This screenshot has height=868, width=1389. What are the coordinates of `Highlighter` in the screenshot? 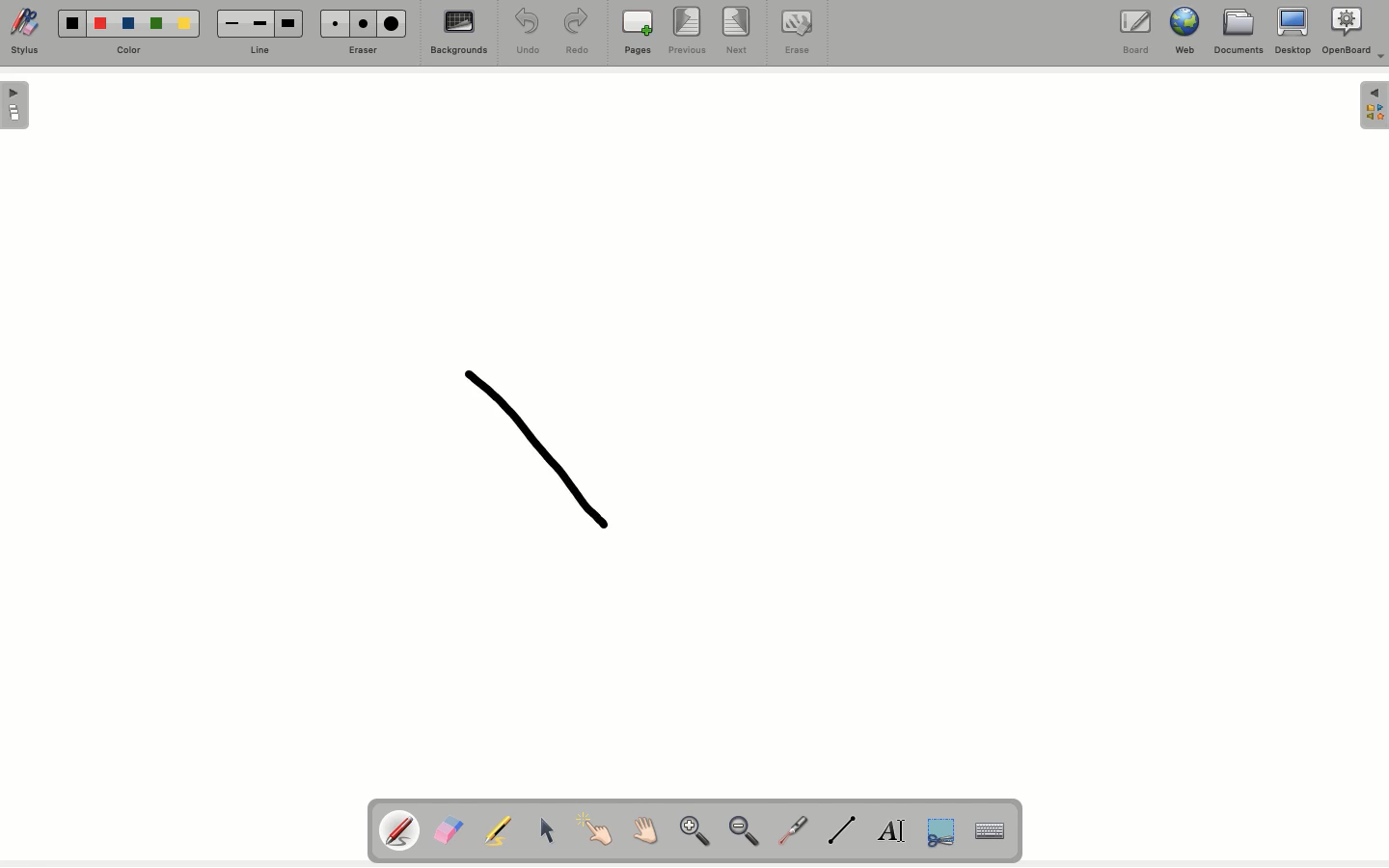 It's located at (502, 830).